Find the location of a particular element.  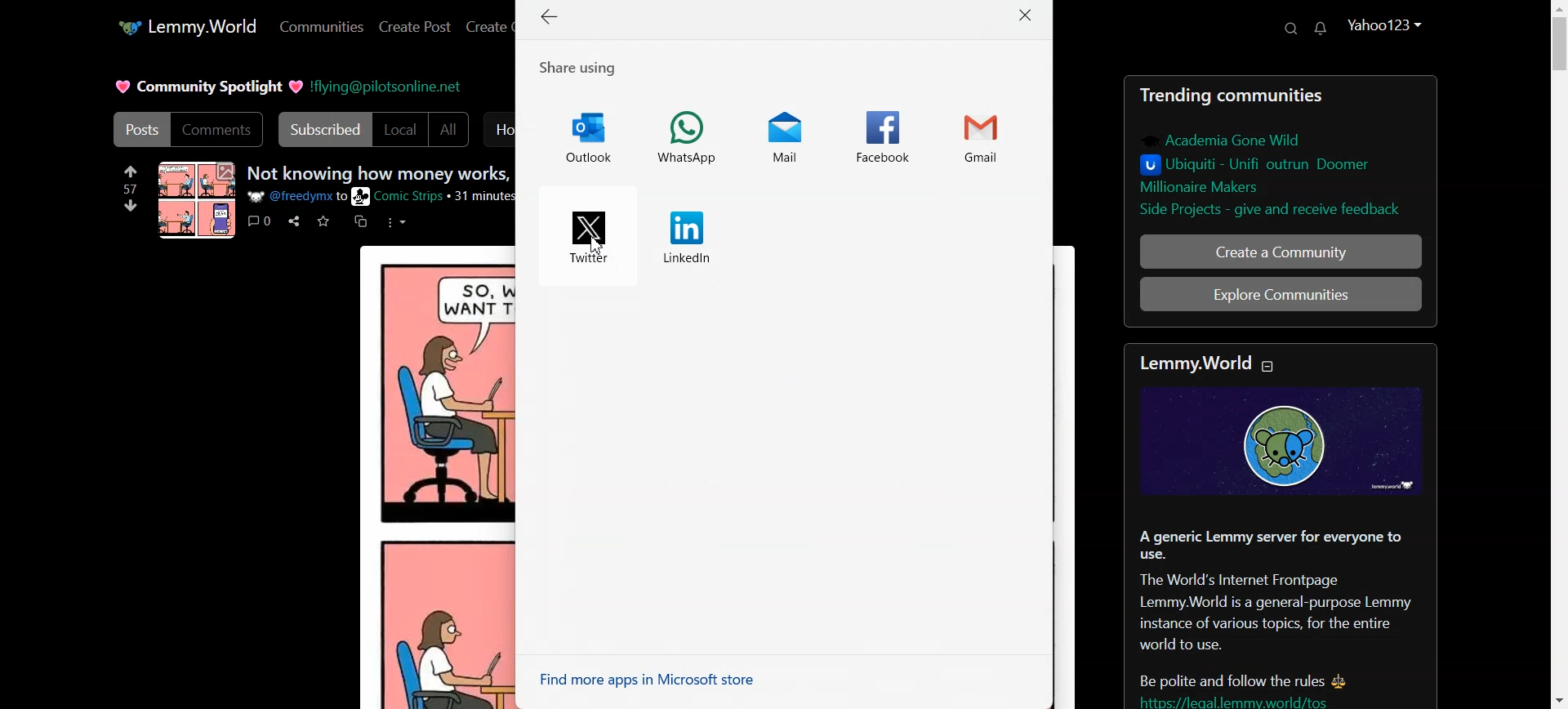

lemmy world is located at coordinates (1191, 360).